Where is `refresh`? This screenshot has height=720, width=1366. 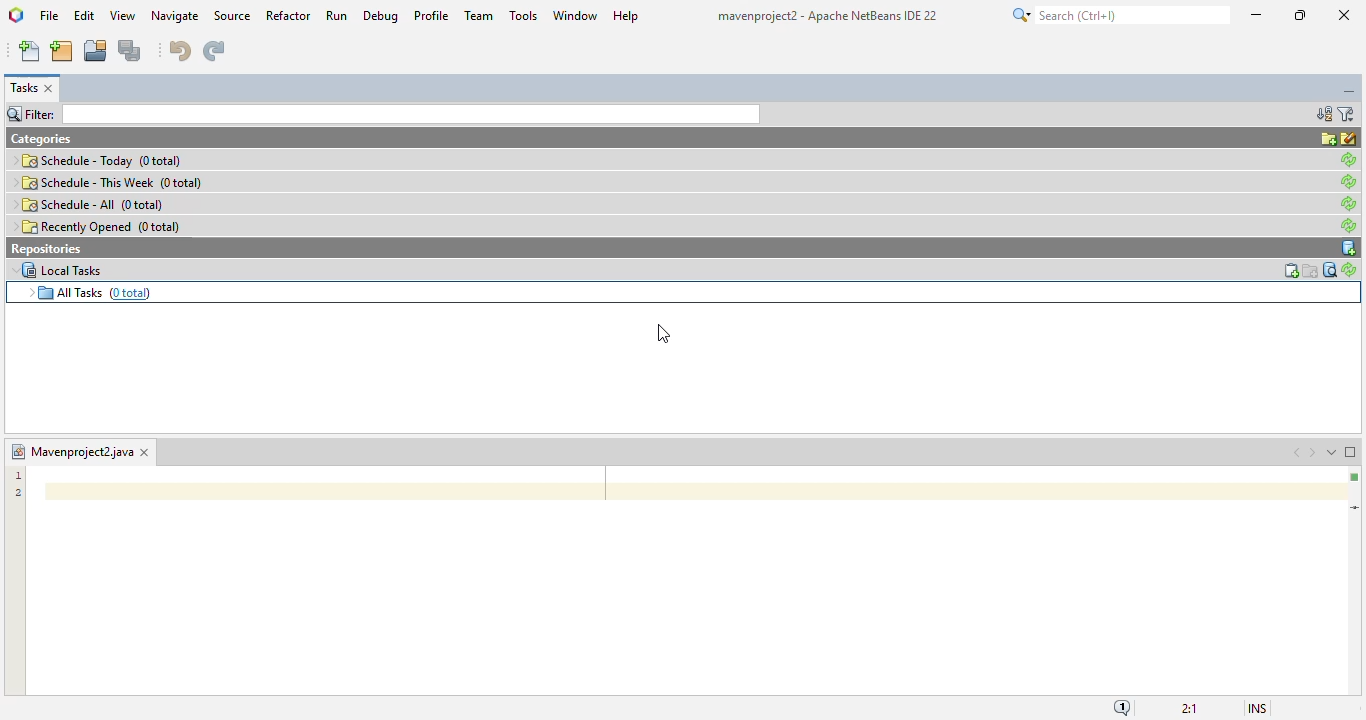
refresh is located at coordinates (1350, 182).